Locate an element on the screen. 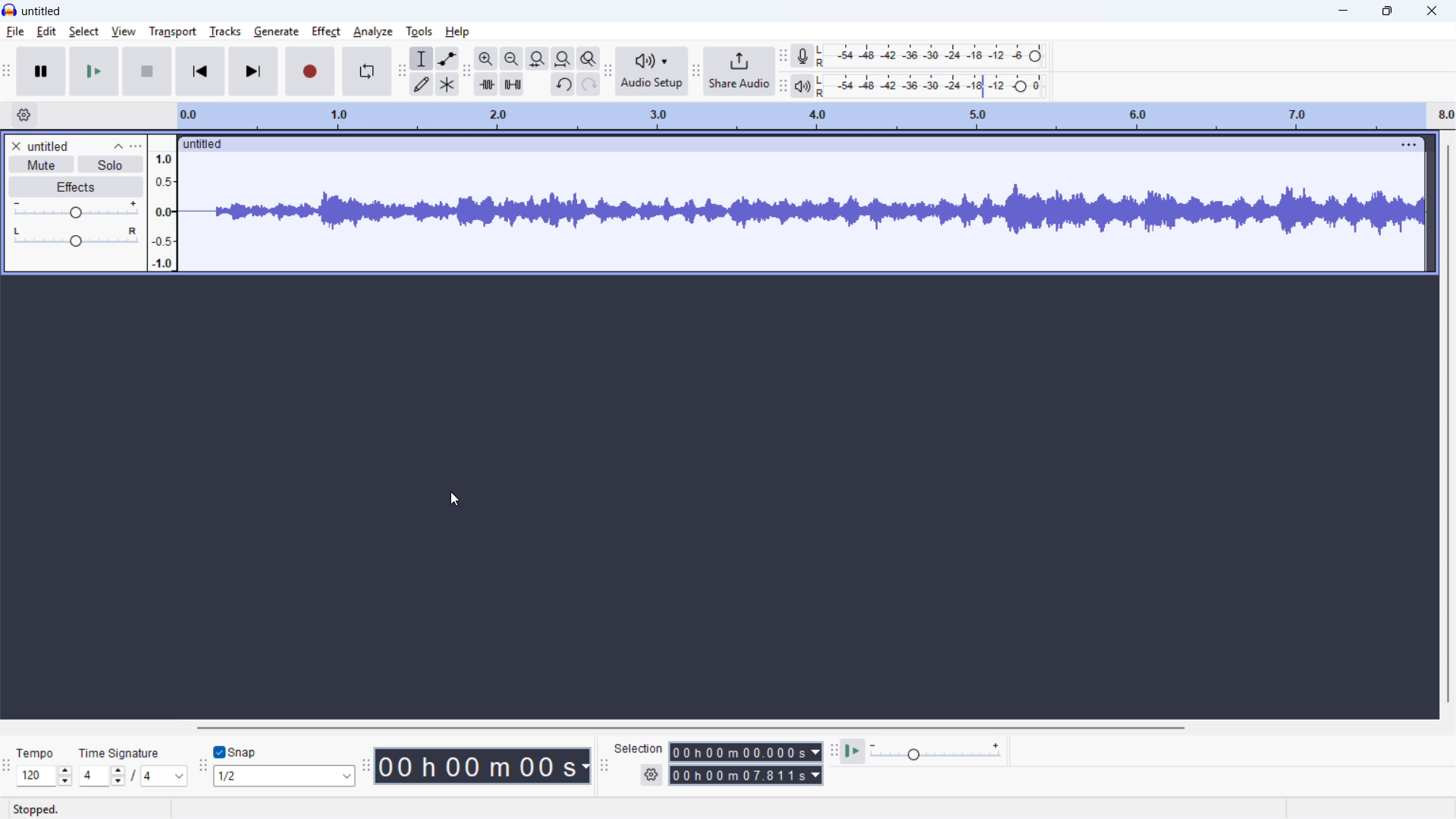 The image size is (1456, 819). stopped is located at coordinates (38, 810).